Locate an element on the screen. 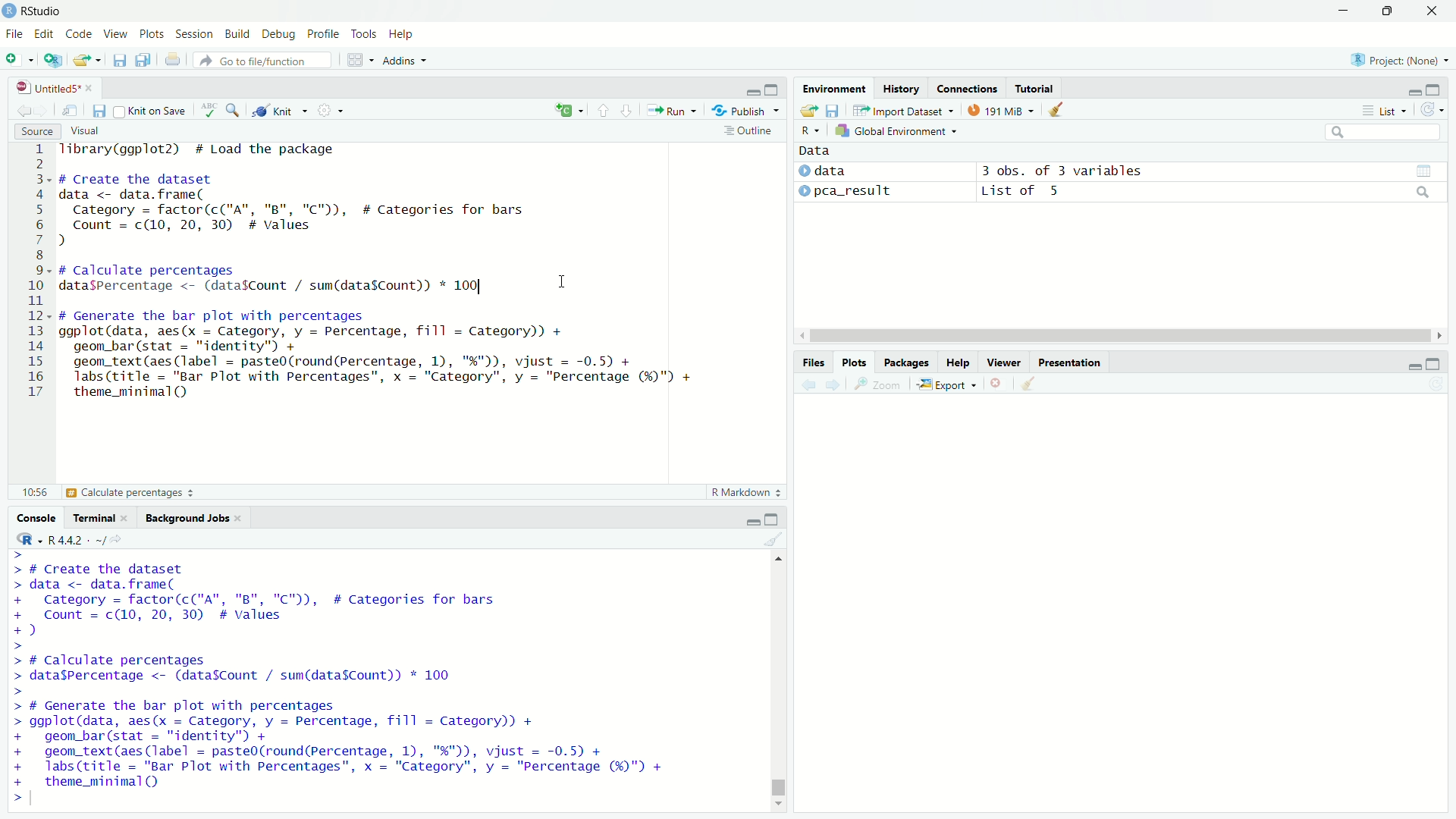 The image size is (1456, 819). clear console is located at coordinates (776, 540).